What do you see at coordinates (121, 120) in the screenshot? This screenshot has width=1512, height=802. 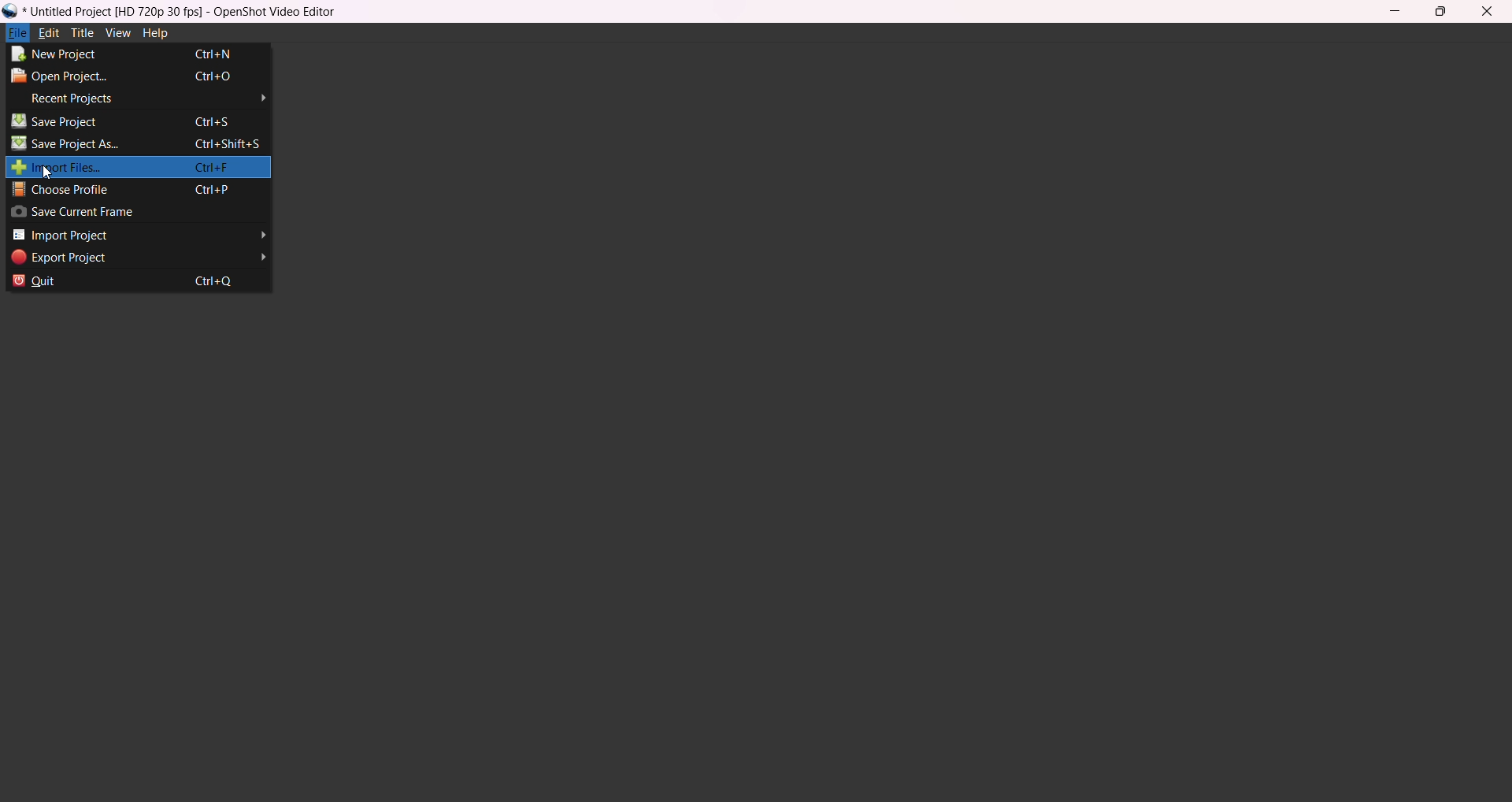 I see `save project` at bounding box center [121, 120].